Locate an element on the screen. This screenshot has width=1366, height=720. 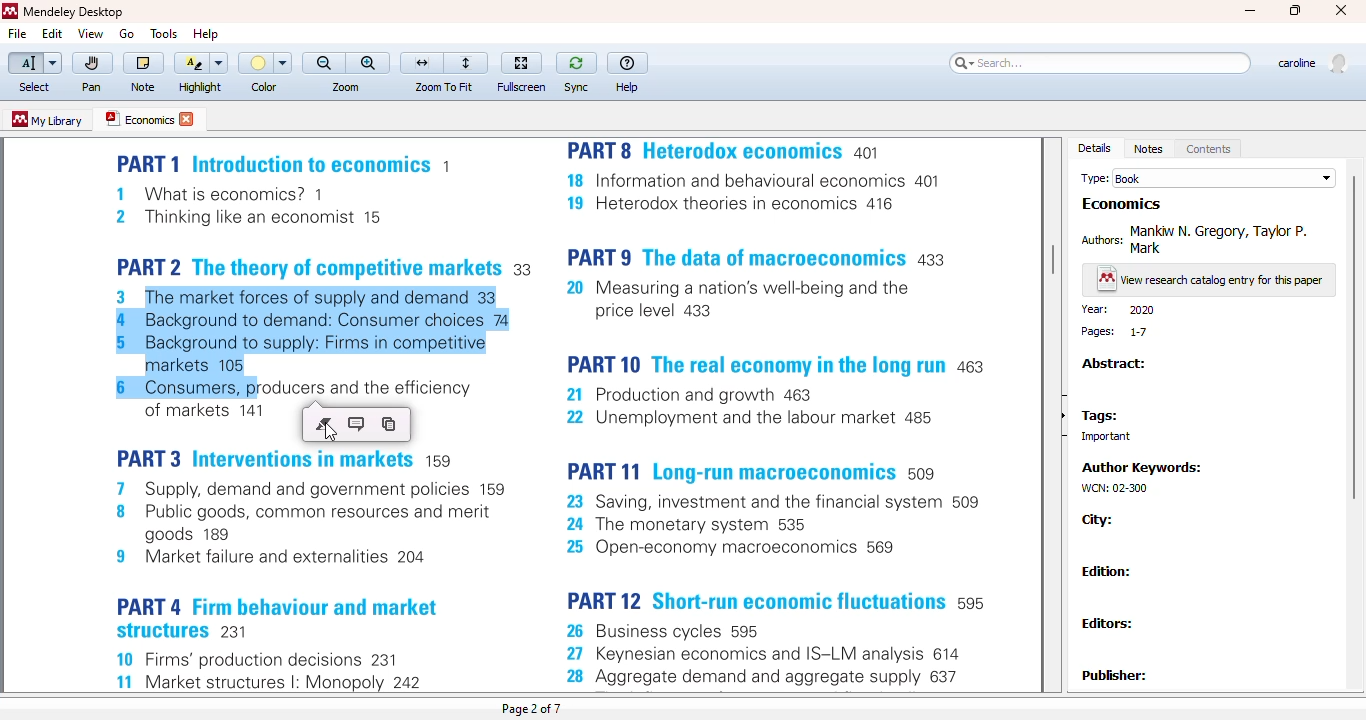
fit to width is located at coordinates (422, 63).